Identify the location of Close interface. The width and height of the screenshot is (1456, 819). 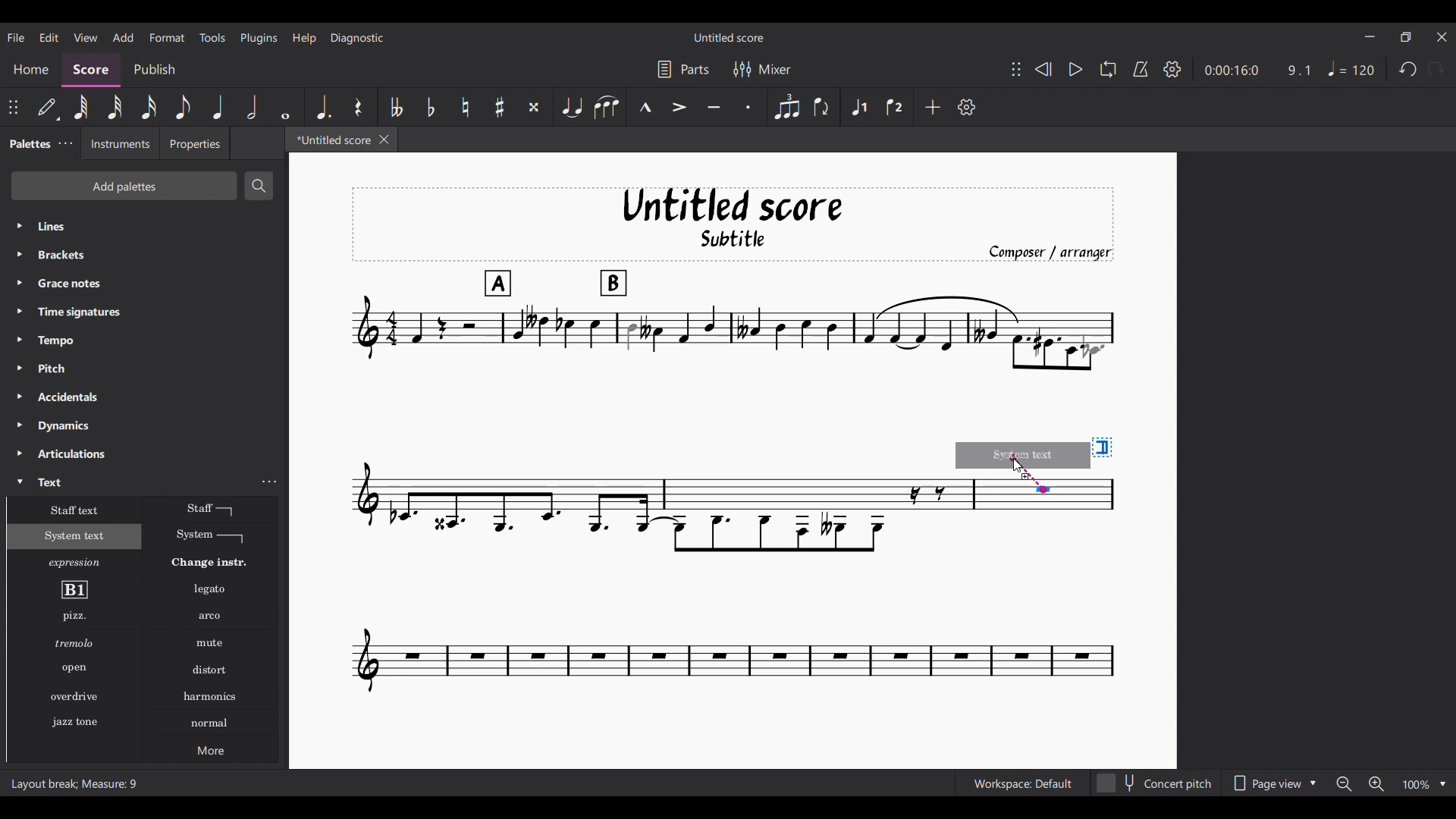
(1442, 37).